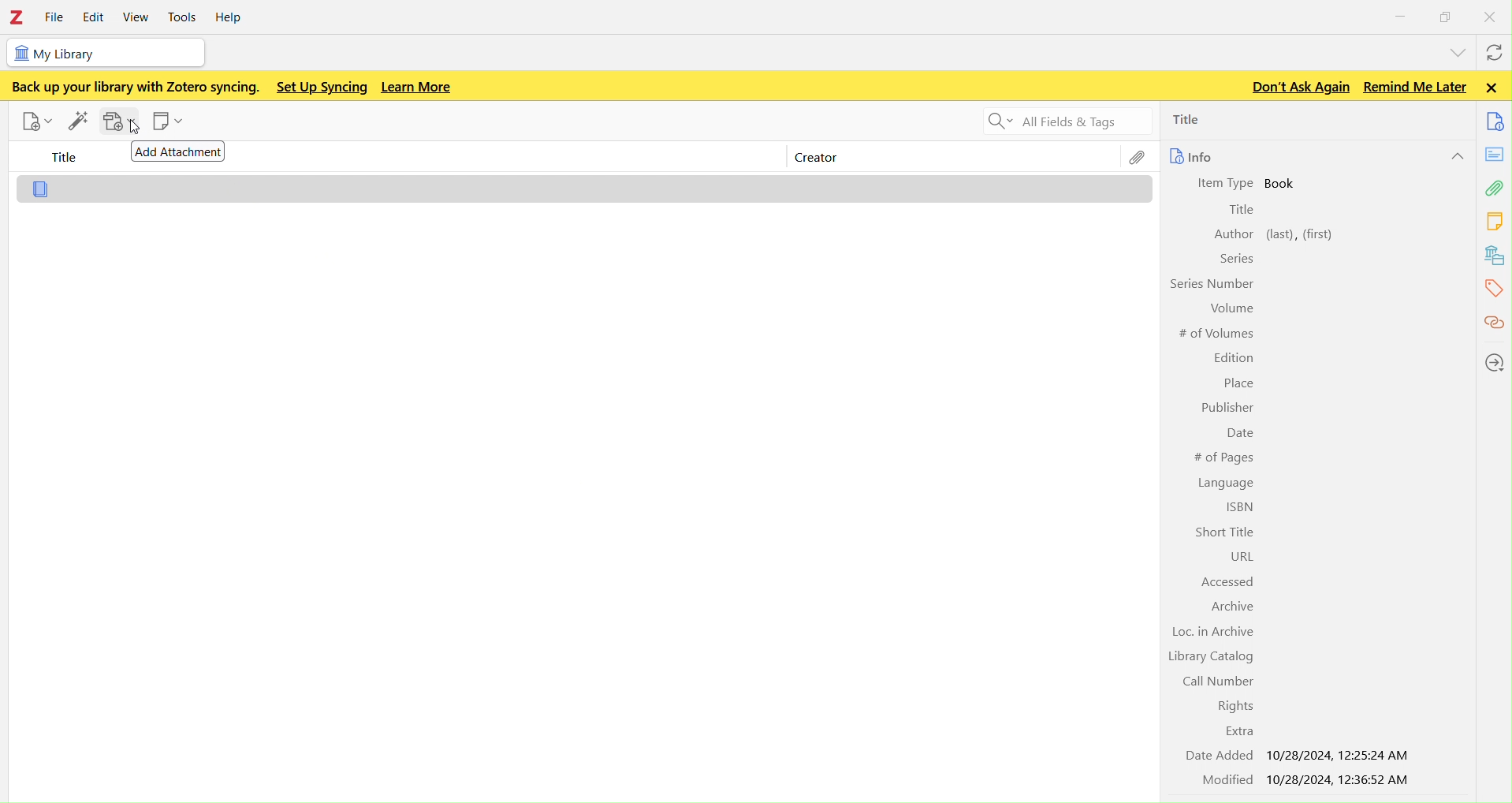 The height and width of the screenshot is (803, 1512). I want to click on Add attachment, so click(181, 151).